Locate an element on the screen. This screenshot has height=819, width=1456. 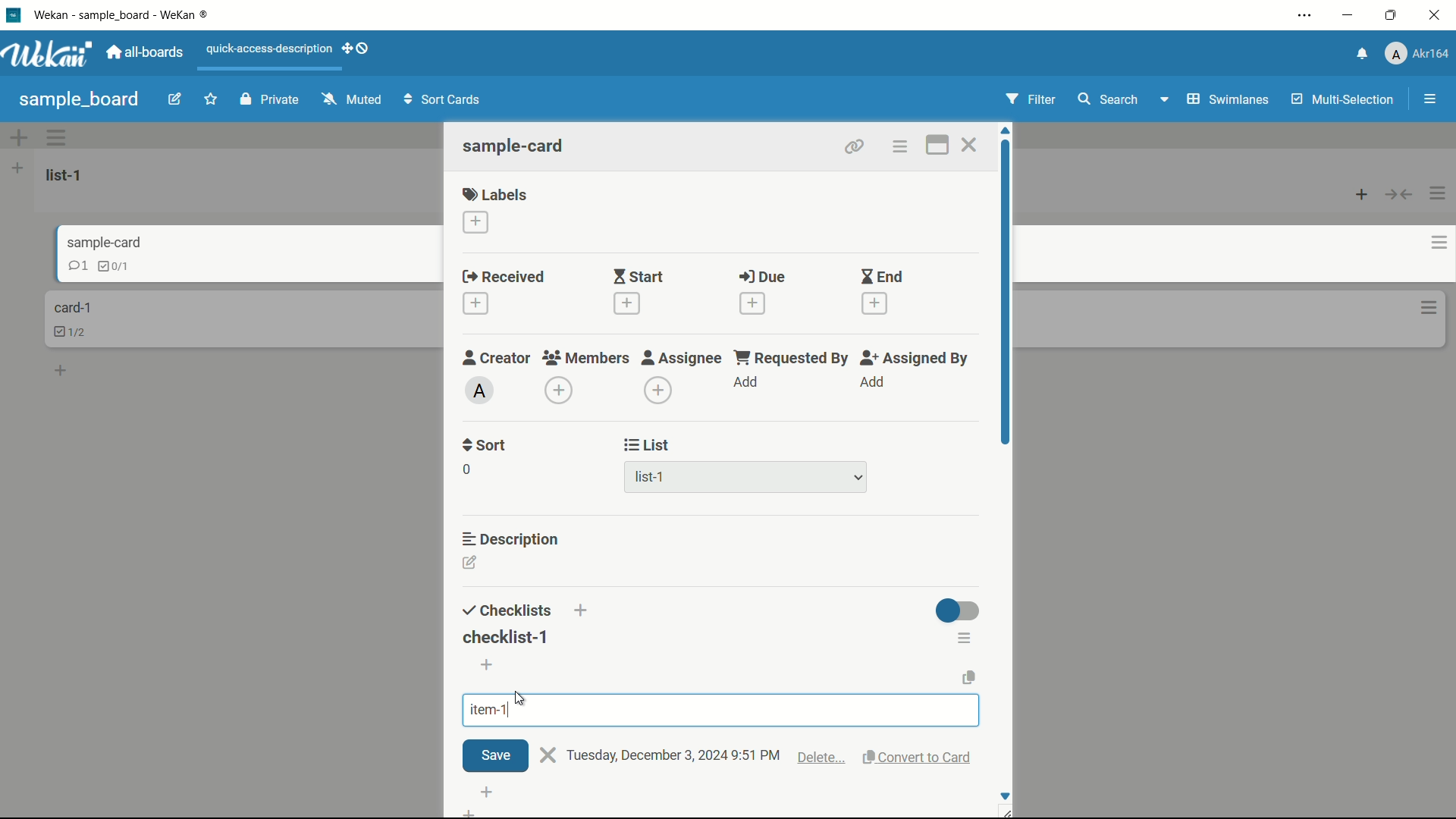
edit board is located at coordinates (175, 98).